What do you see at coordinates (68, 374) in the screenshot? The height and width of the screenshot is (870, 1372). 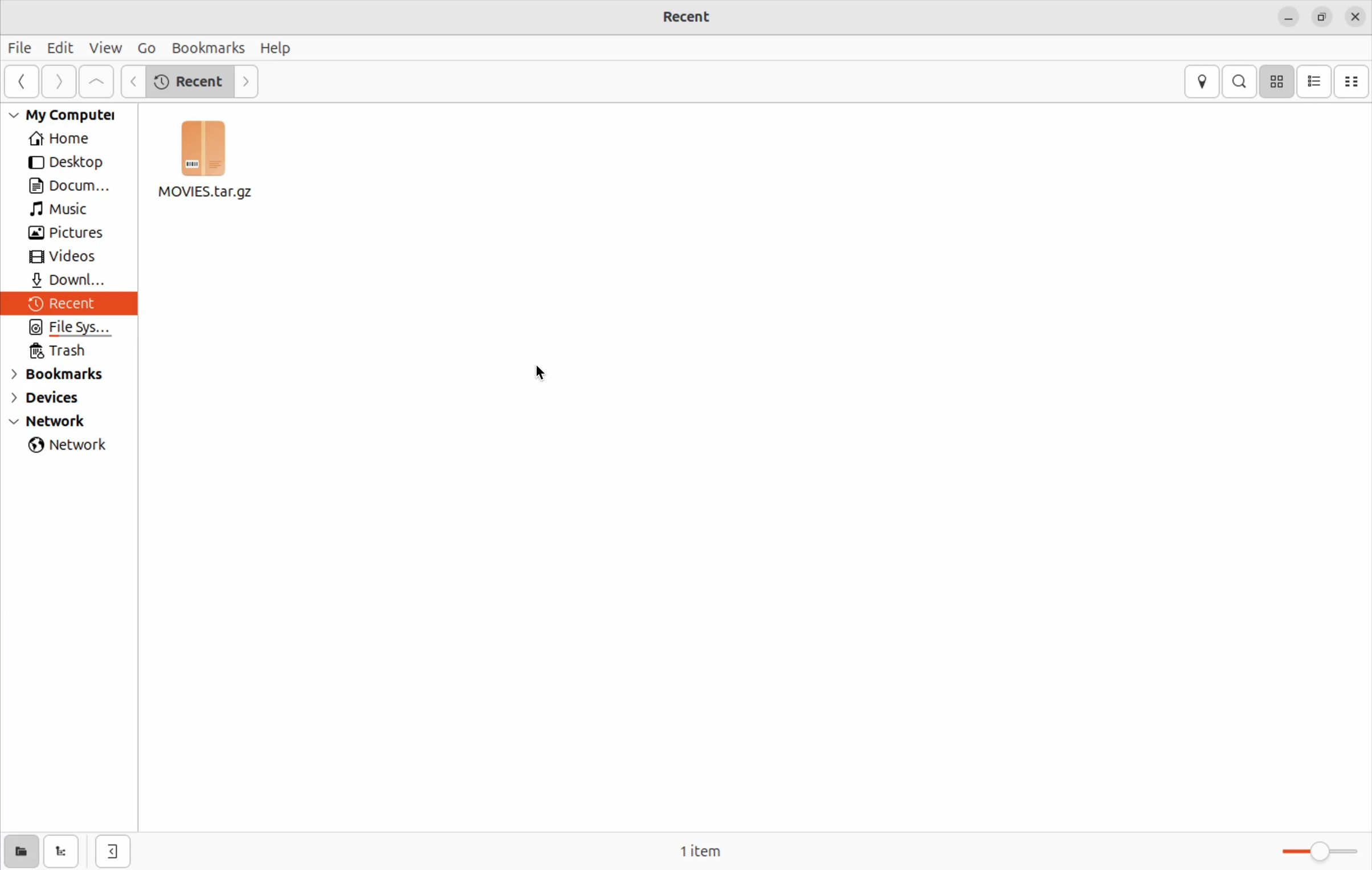 I see `Bookmarks` at bounding box center [68, 374].